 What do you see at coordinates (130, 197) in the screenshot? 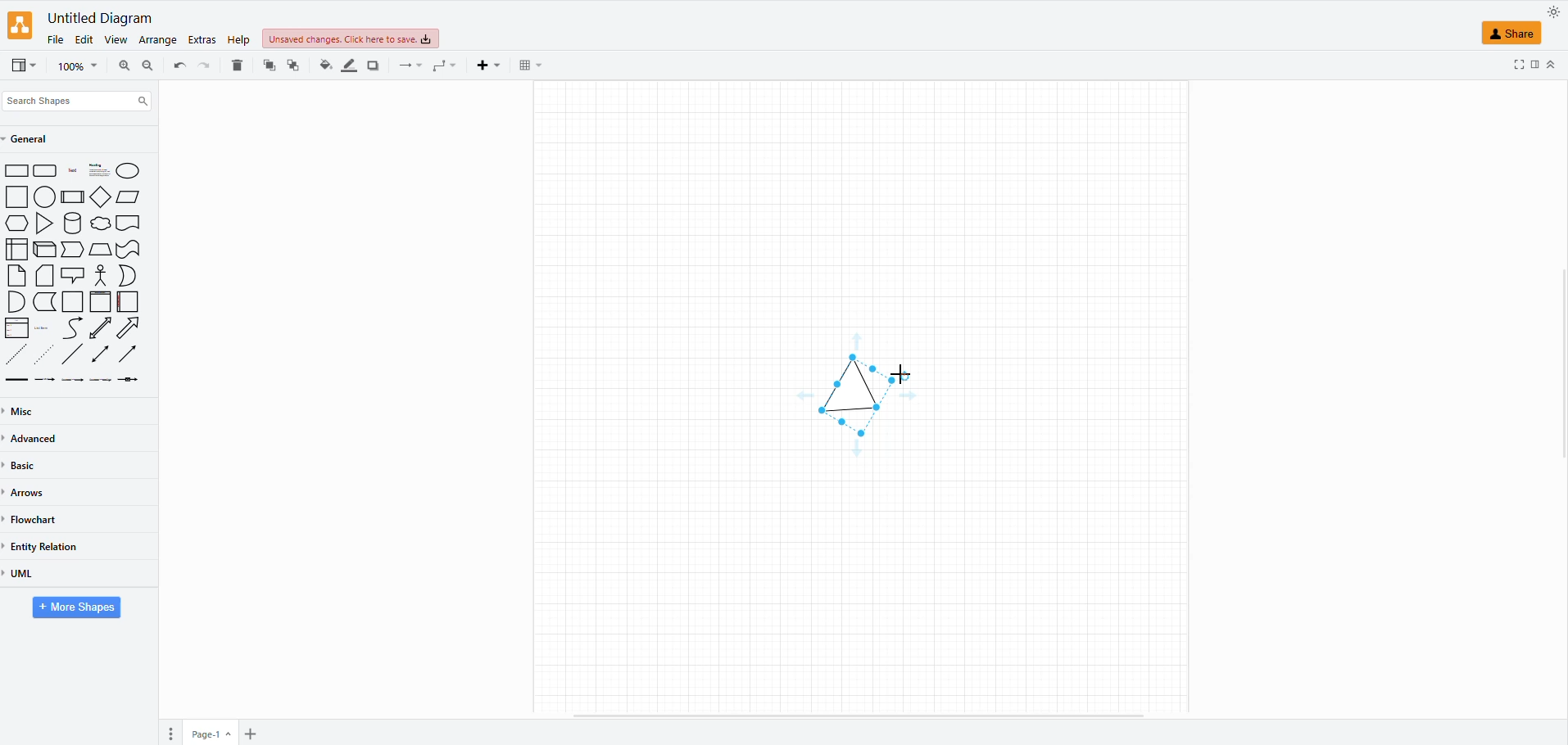
I see `Parallelogram` at bounding box center [130, 197].